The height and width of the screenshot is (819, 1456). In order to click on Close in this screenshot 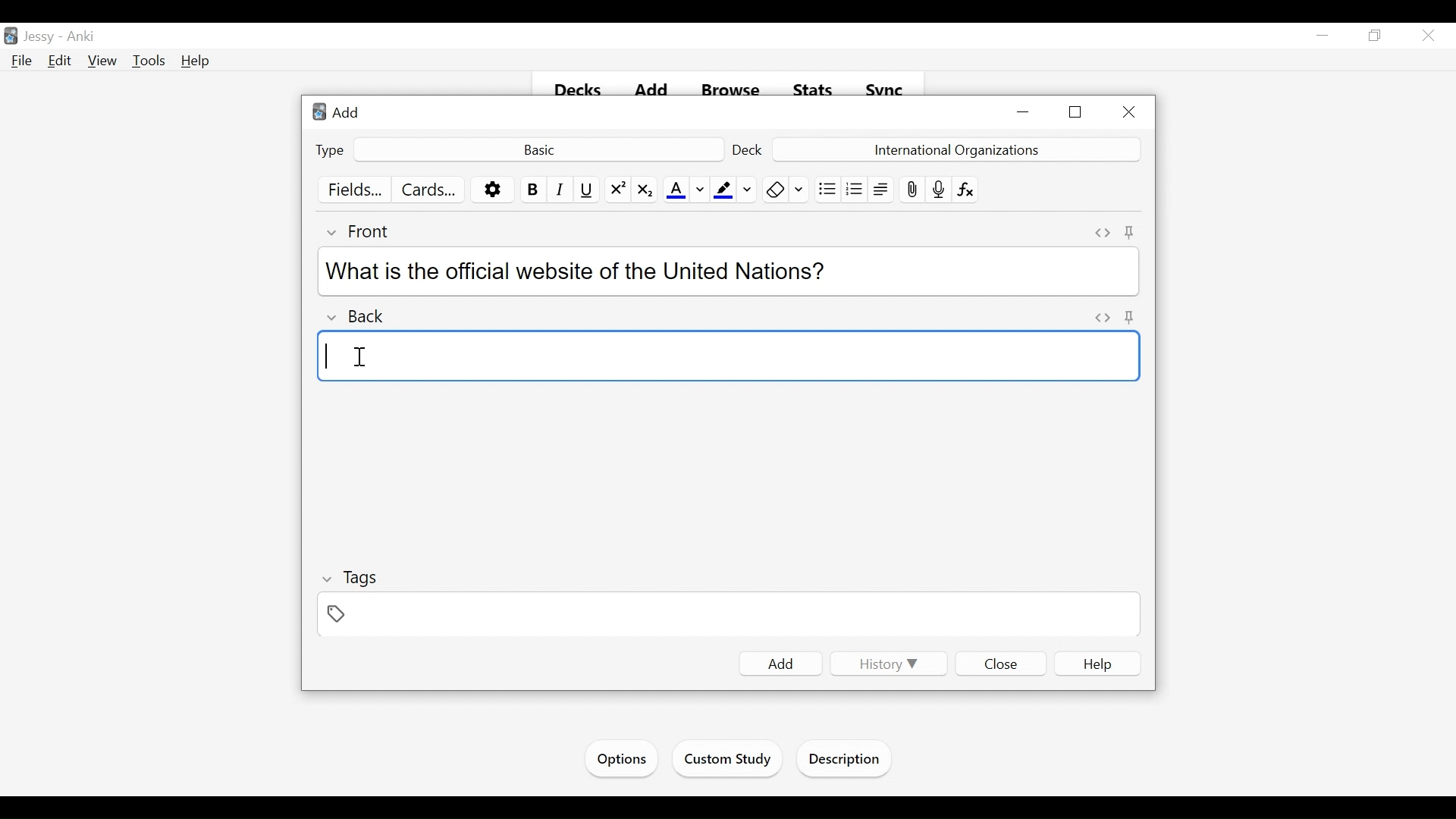, I will do `click(1430, 35)`.